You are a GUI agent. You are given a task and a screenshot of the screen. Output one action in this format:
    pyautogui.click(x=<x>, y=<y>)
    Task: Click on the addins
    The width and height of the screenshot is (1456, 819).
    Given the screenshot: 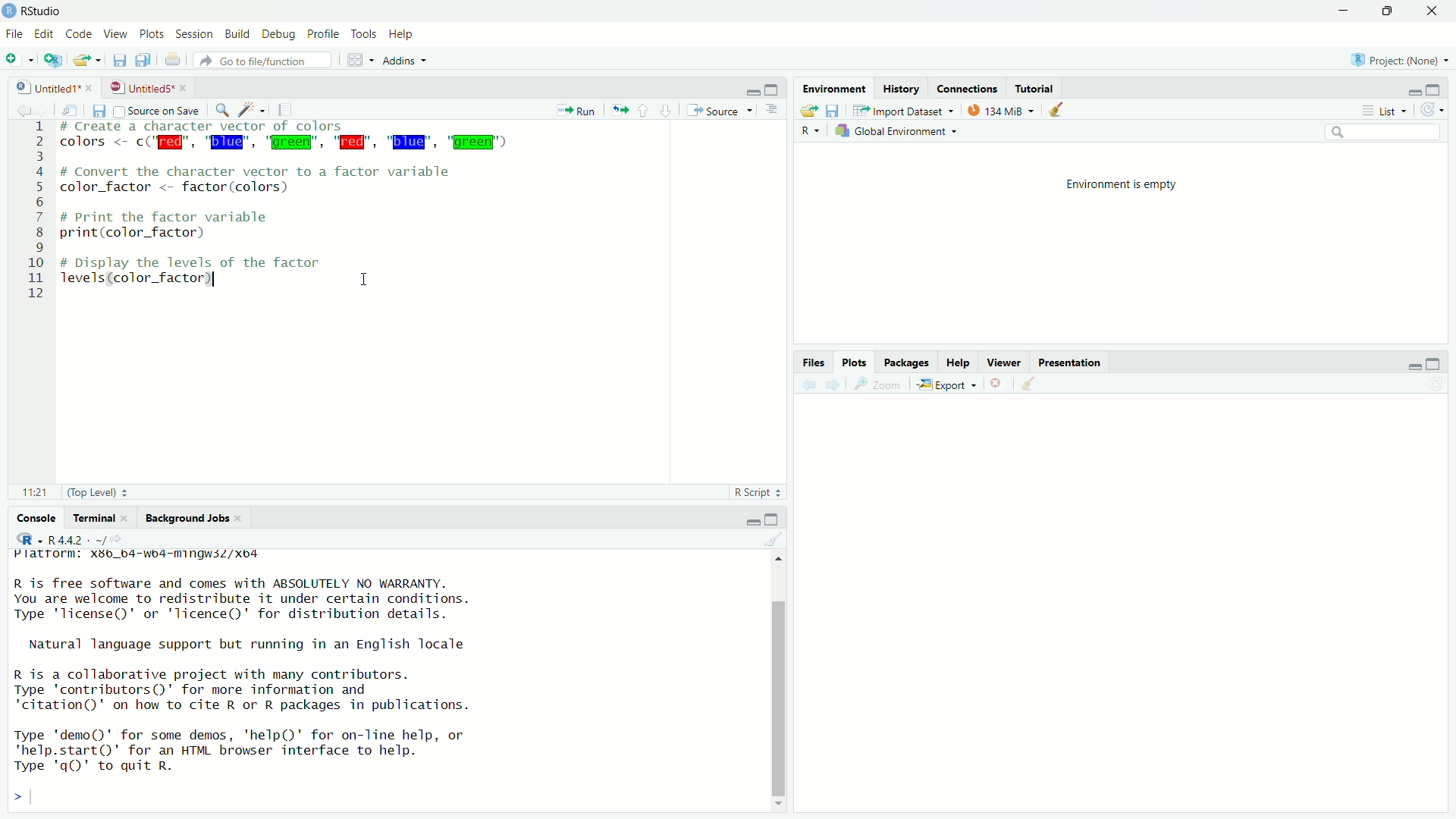 What is the action you would take?
    pyautogui.click(x=406, y=61)
    